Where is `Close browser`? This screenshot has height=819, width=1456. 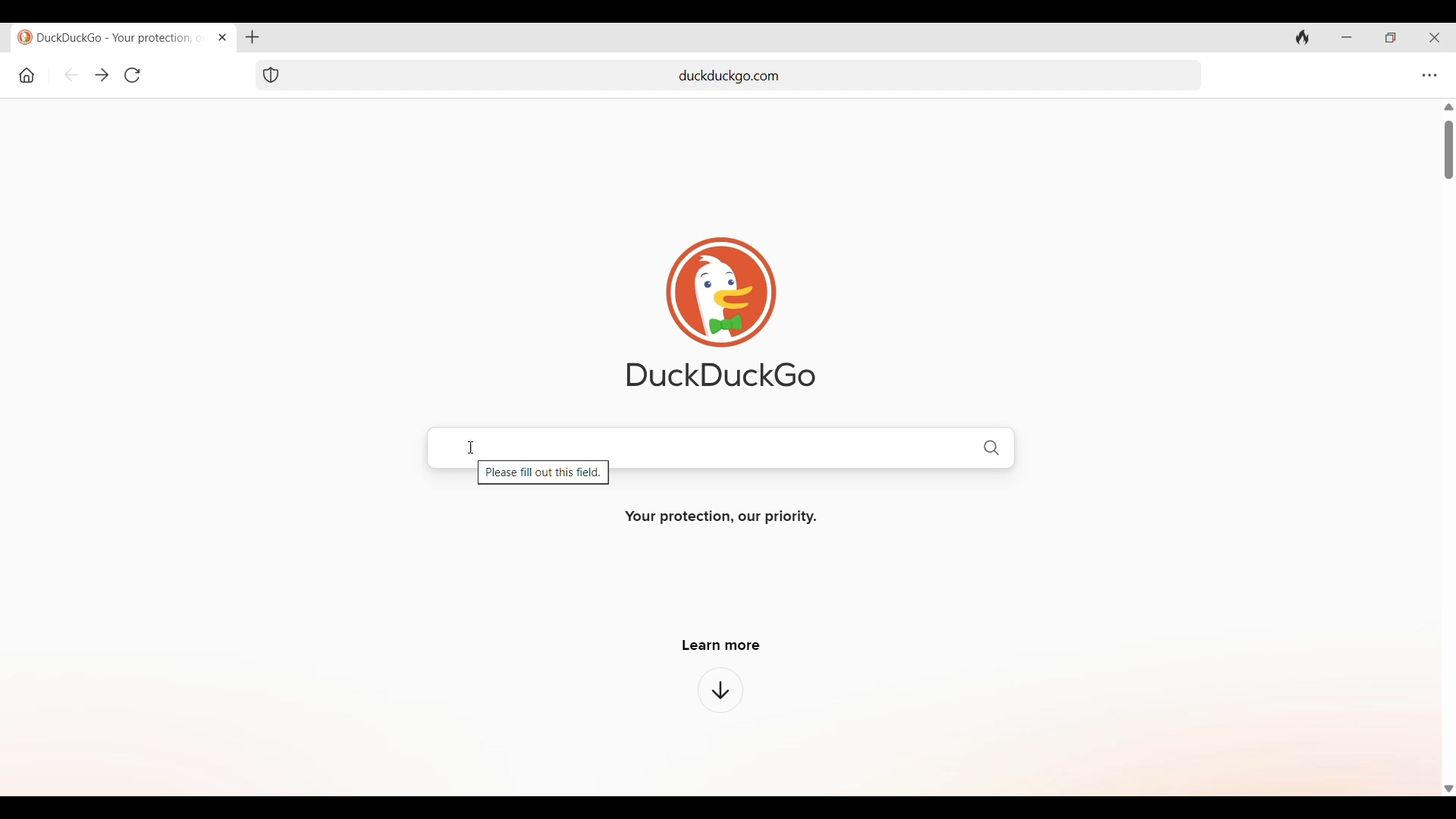 Close browser is located at coordinates (1435, 38).